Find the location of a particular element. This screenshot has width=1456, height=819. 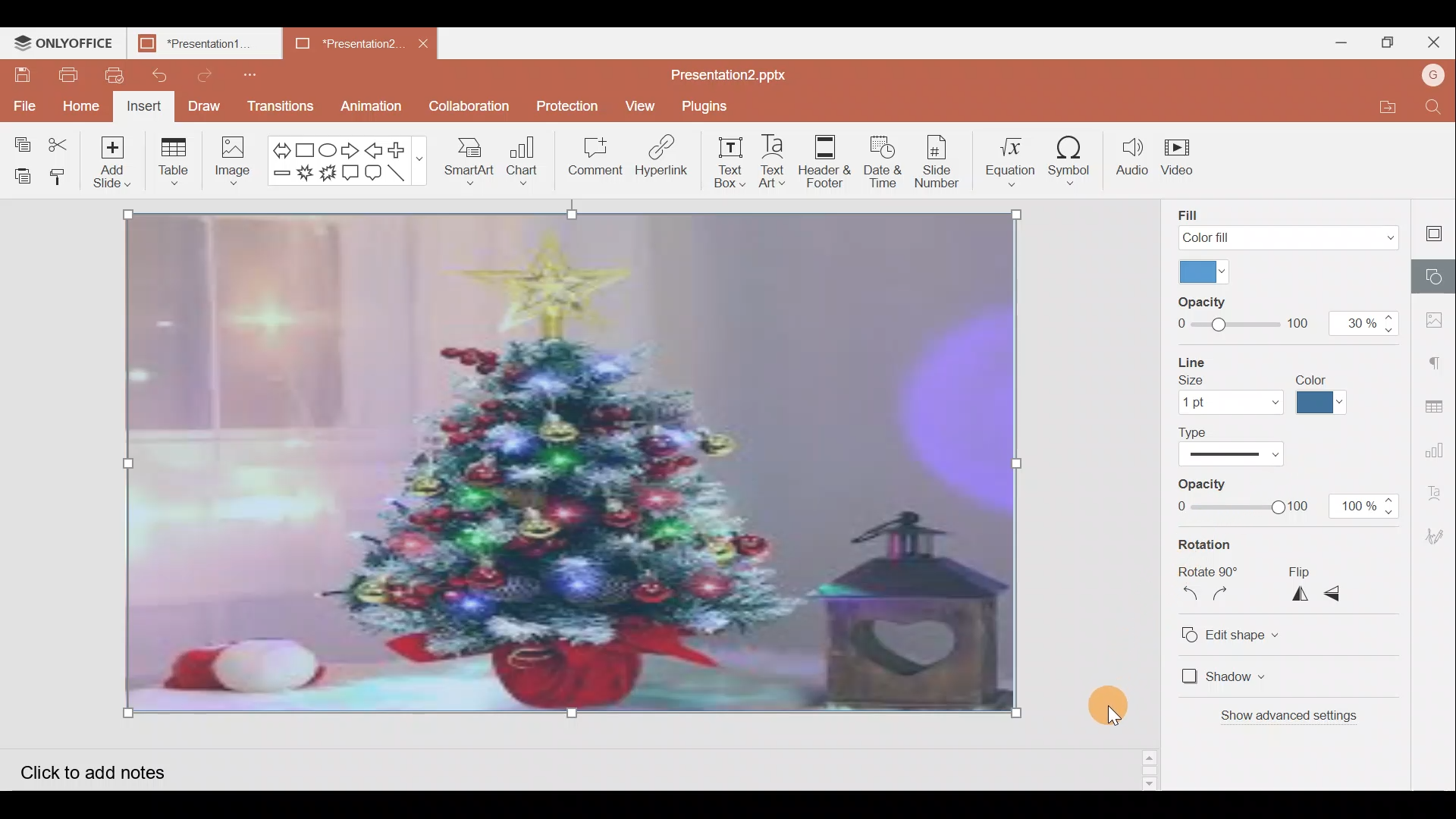

Insert is located at coordinates (146, 106).